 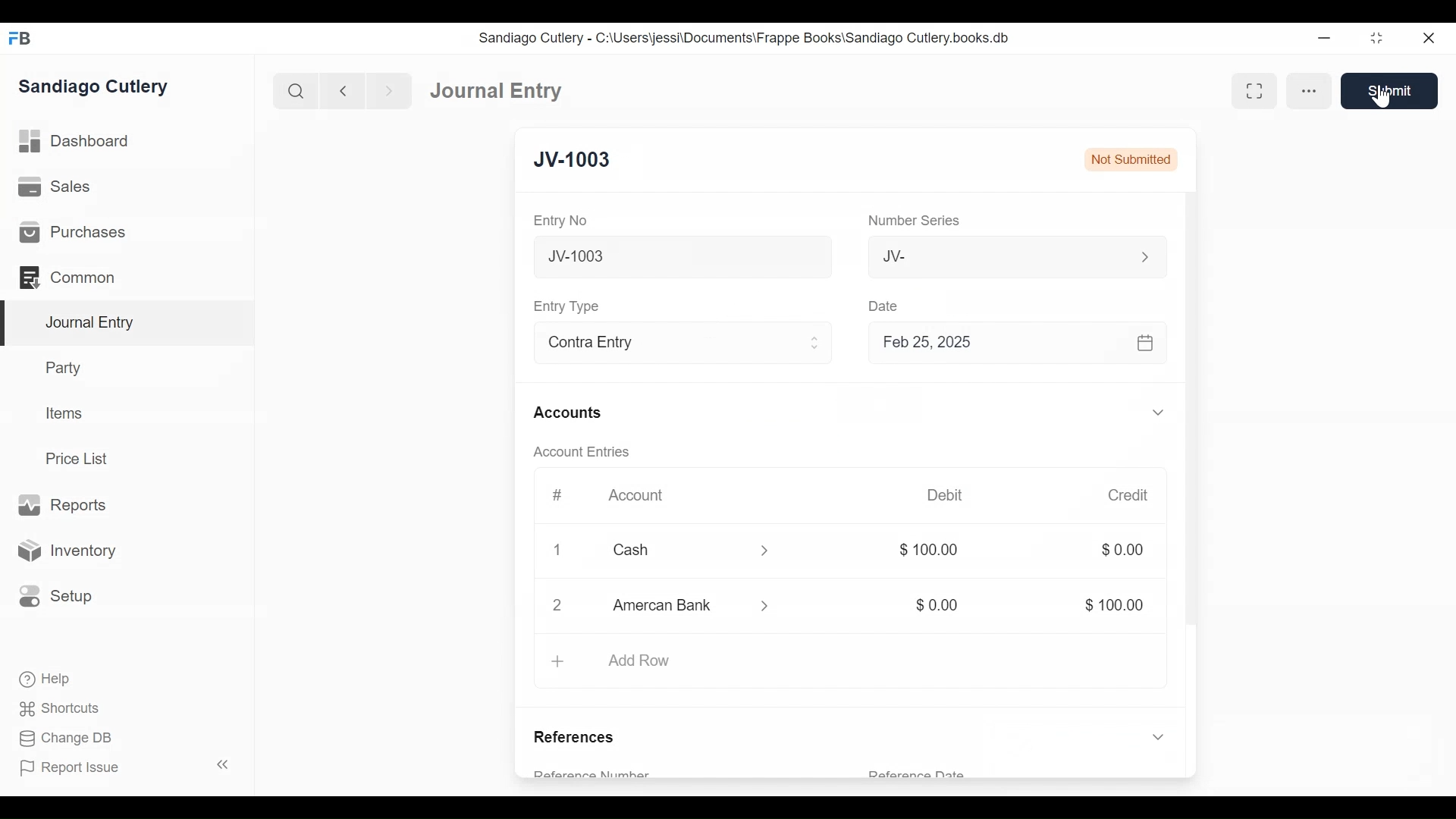 I want to click on Minimize, so click(x=1326, y=39).